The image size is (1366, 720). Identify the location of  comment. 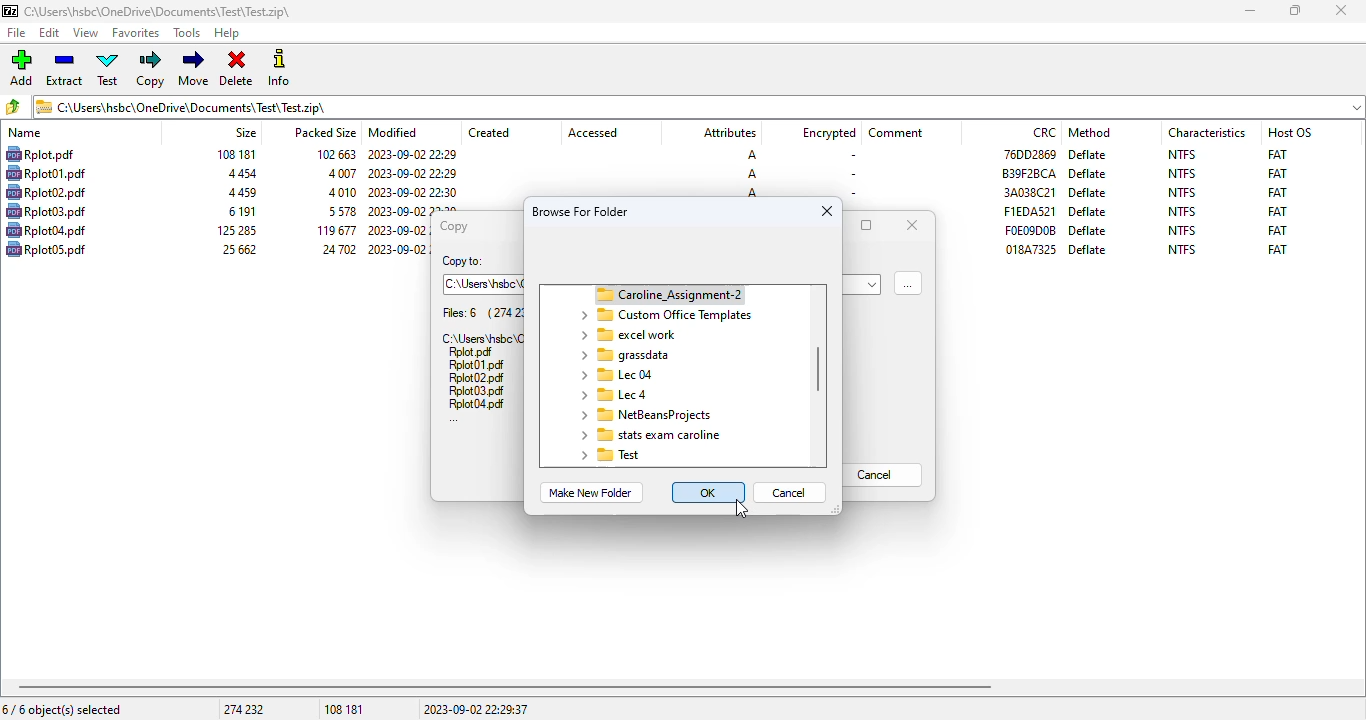
(896, 133).